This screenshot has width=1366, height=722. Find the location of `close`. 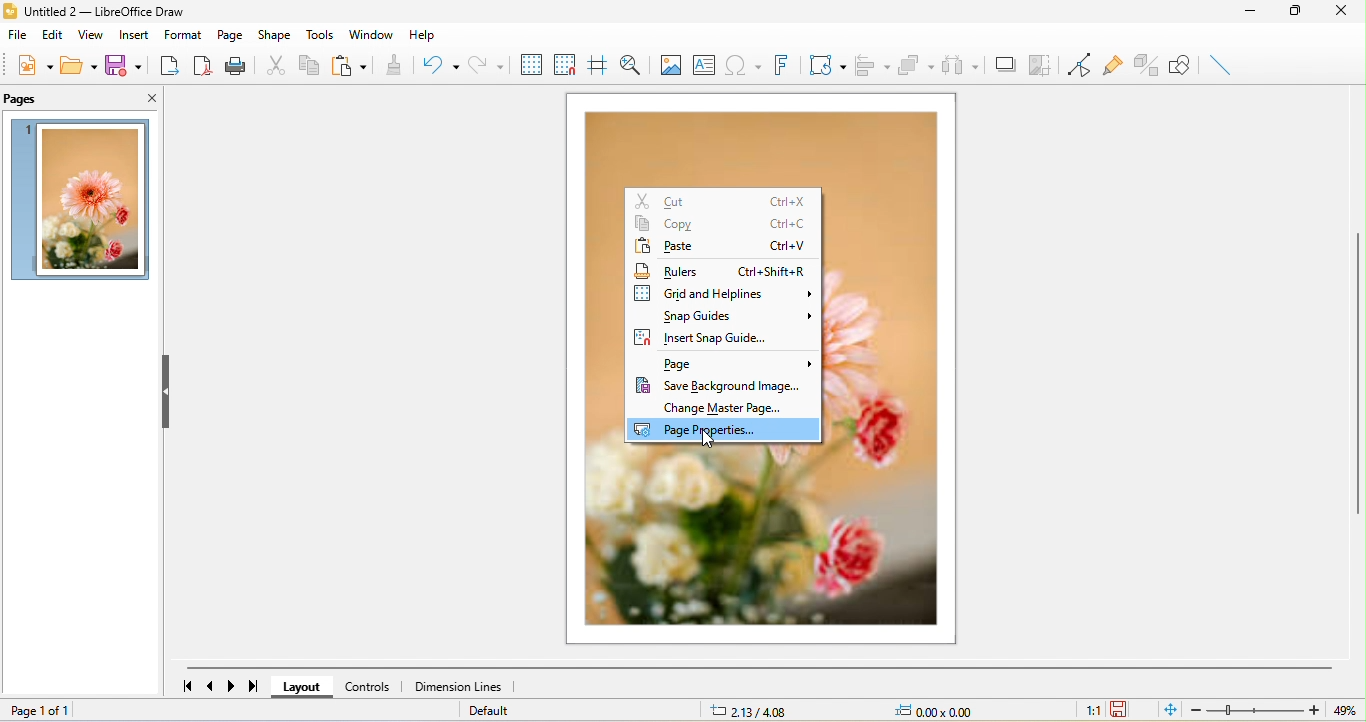

close is located at coordinates (1346, 14).